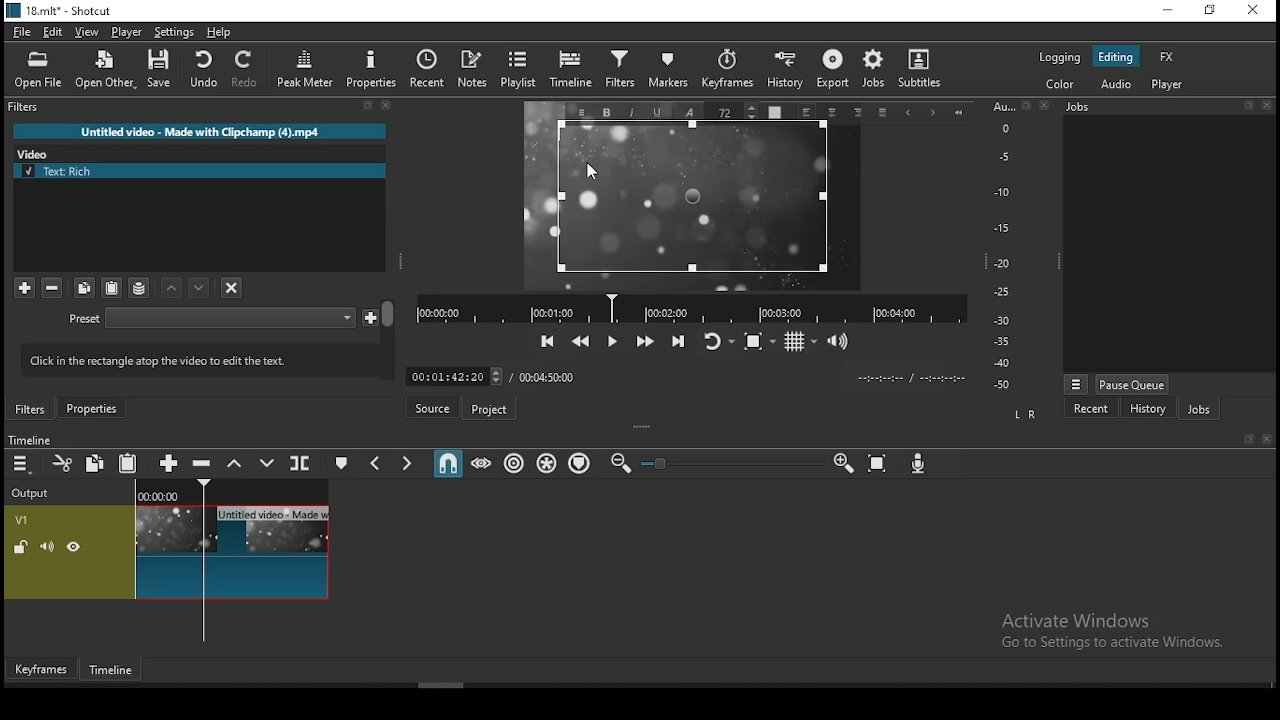 The image size is (1280, 720). I want to click on Output, so click(34, 490).